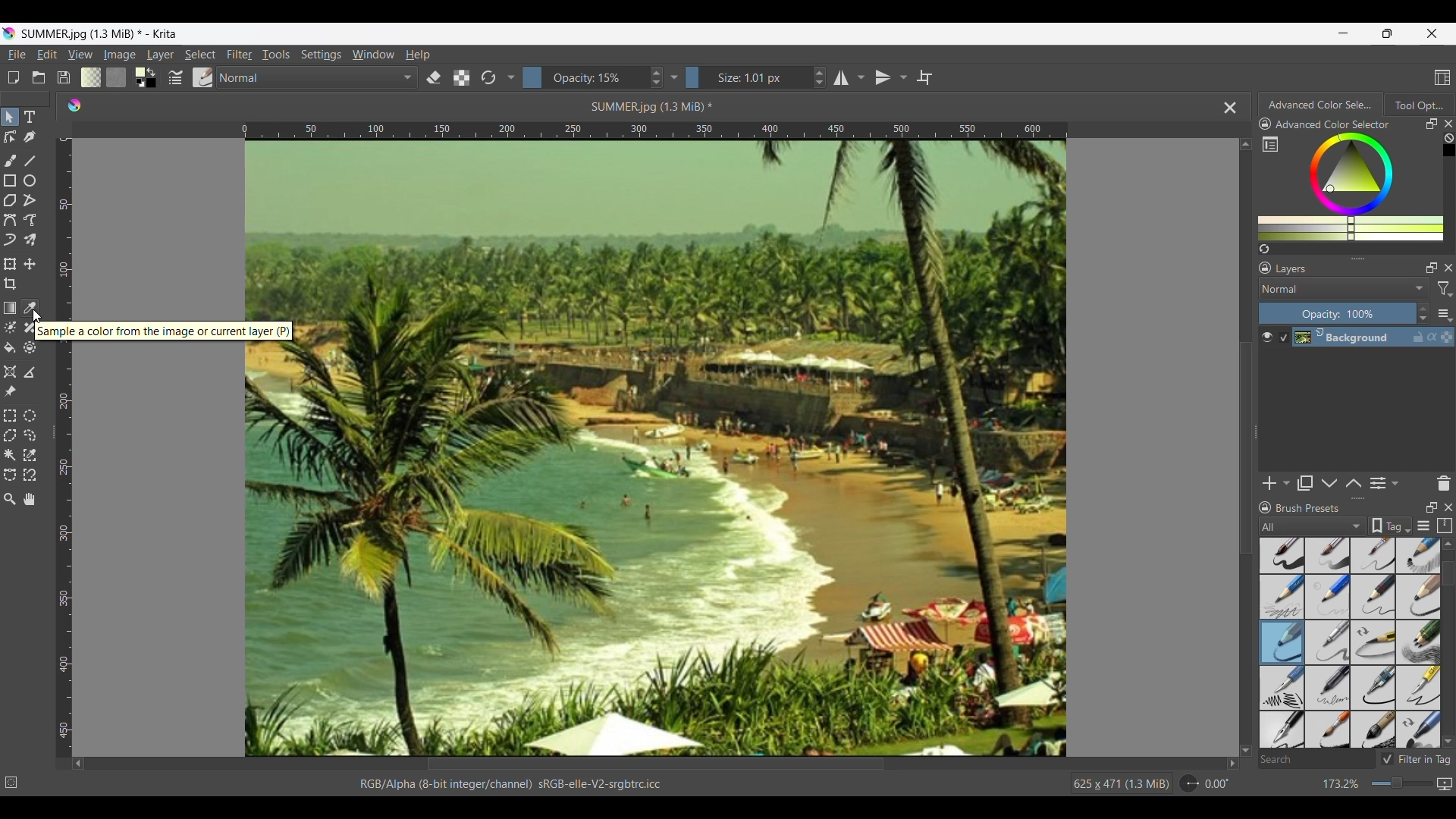  Describe the element at coordinates (120, 54) in the screenshot. I see `Image menu` at that location.